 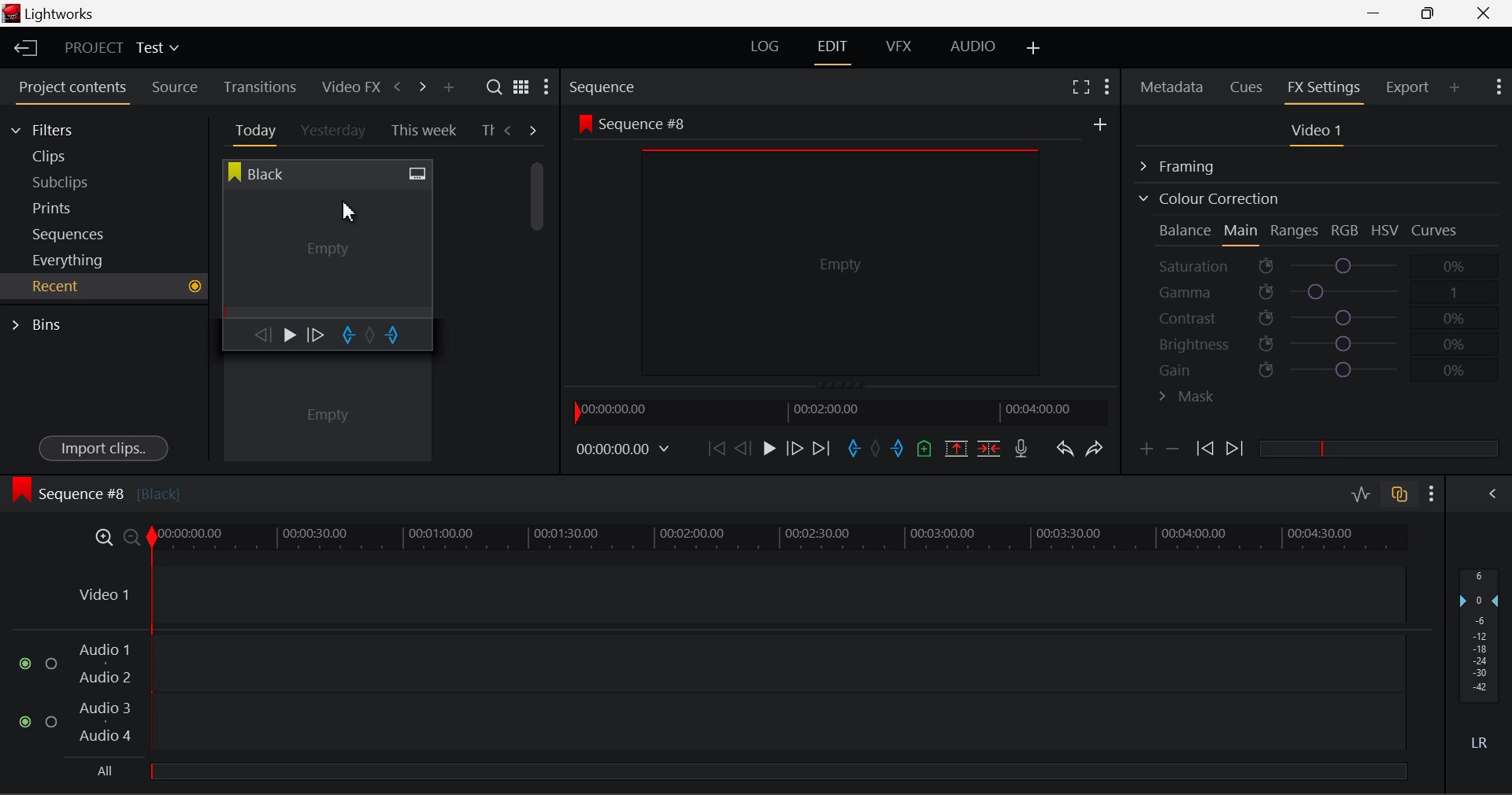 I want to click on Remove marked section, so click(x=955, y=447).